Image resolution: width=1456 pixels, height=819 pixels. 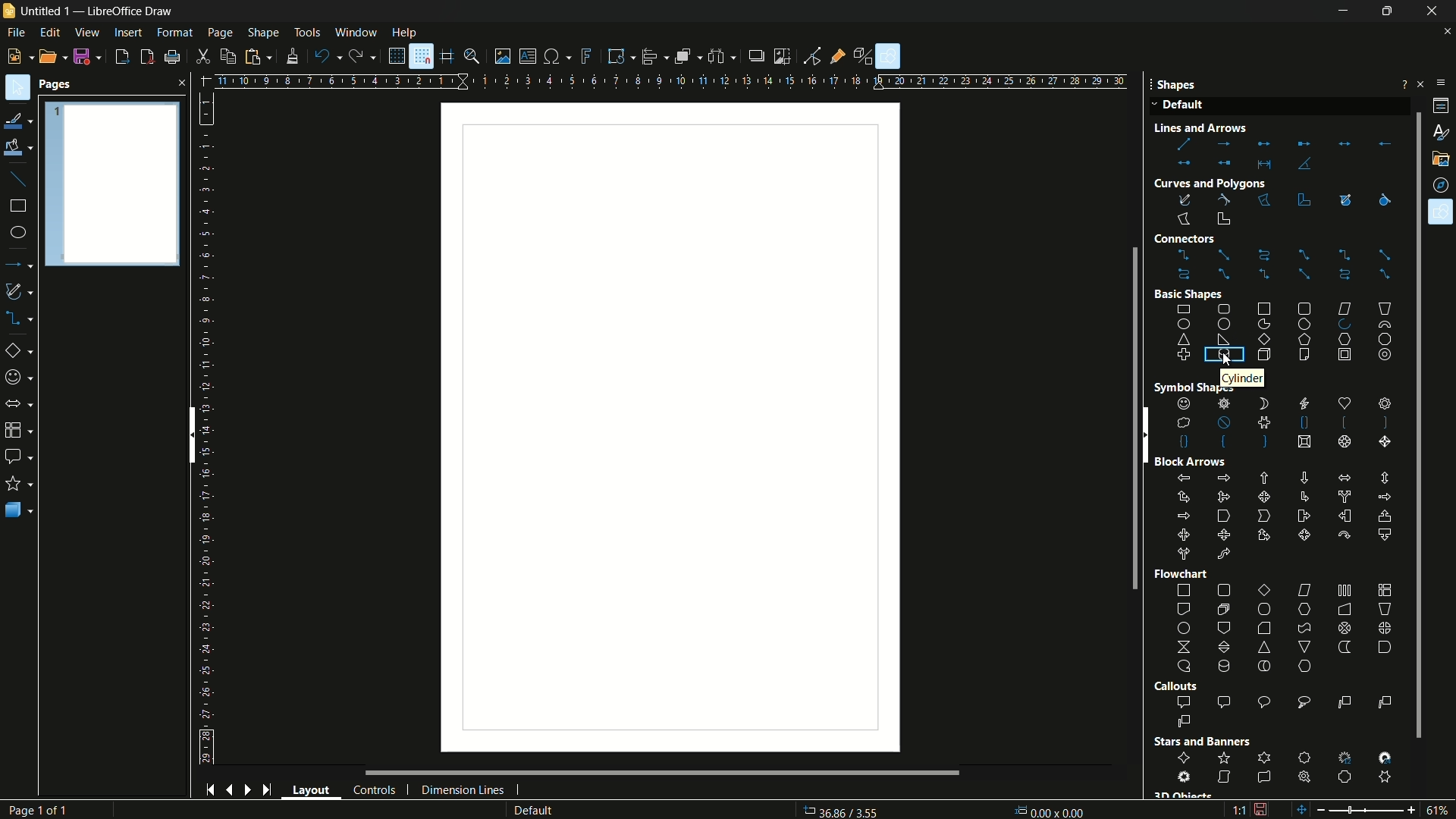 I want to click on line color, so click(x=17, y=122).